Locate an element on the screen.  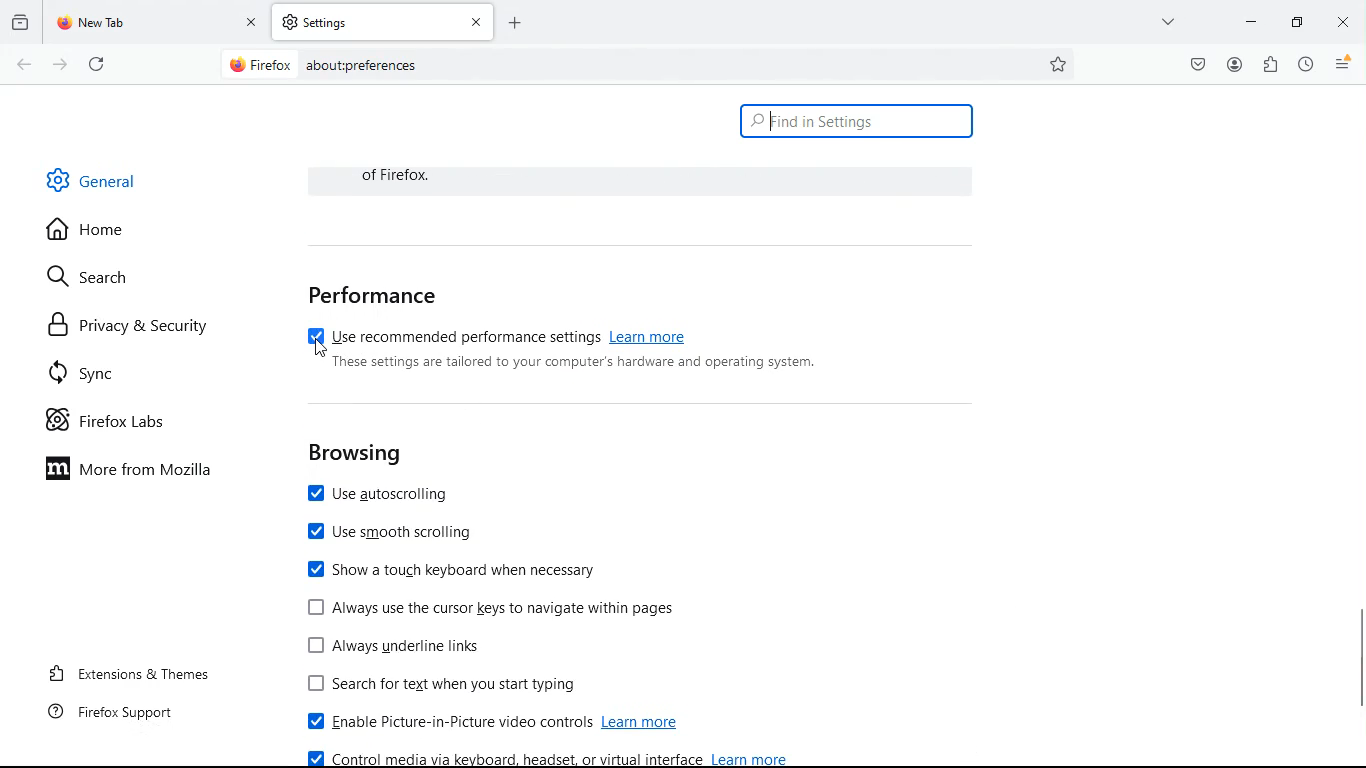
more from mozilla is located at coordinates (141, 472).